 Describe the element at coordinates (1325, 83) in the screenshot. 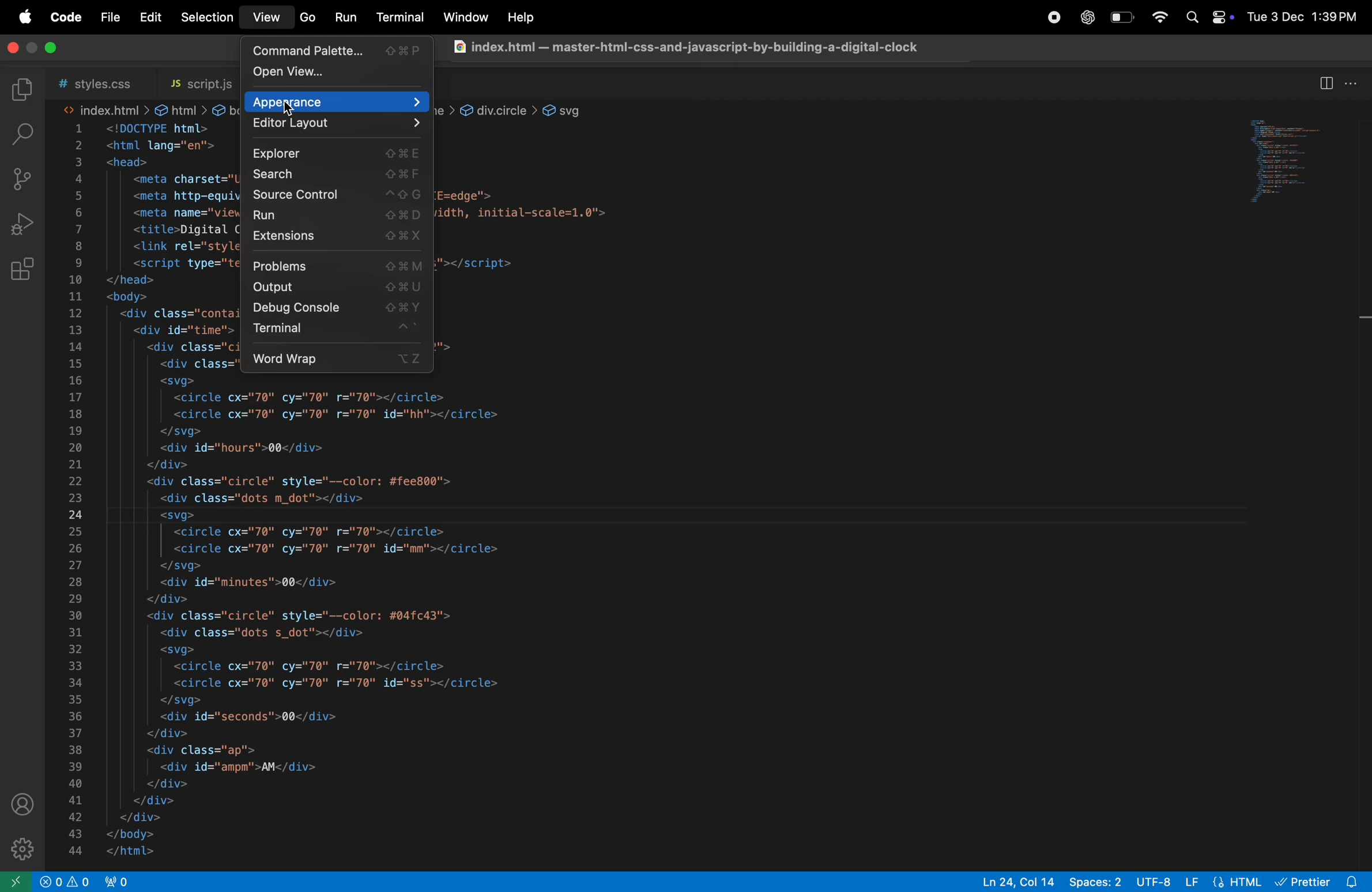

I see `split editor` at that location.